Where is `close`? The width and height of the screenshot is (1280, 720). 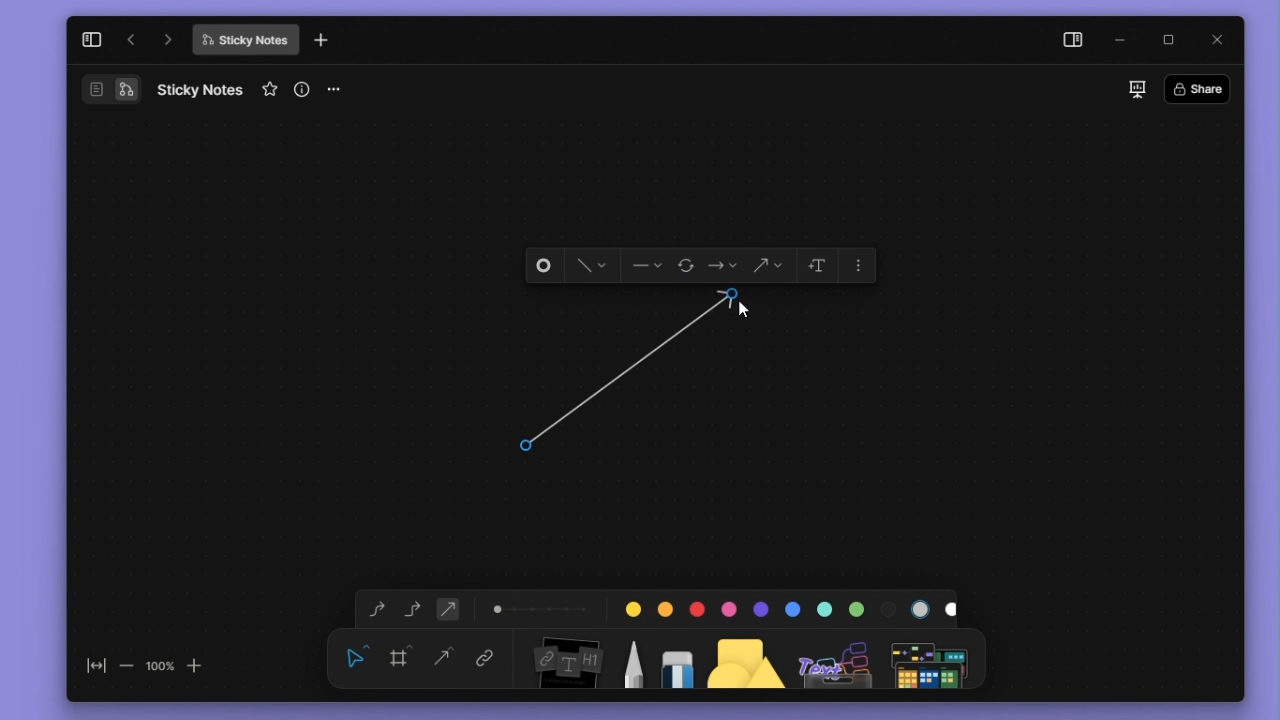 close is located at coordinates (1219, 38).